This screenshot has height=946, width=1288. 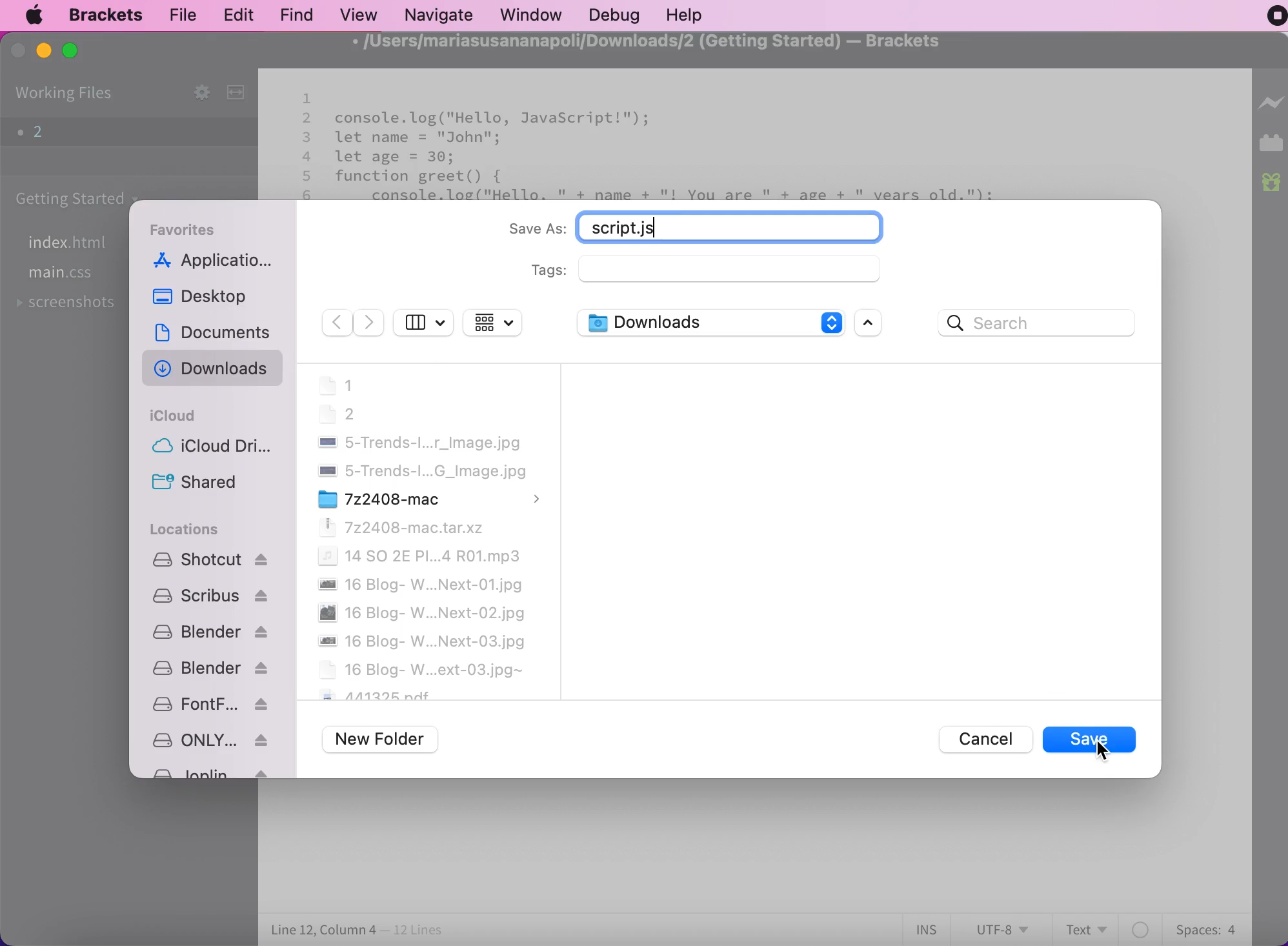 I want to click on configure working sets, so click(x=190, y=92).